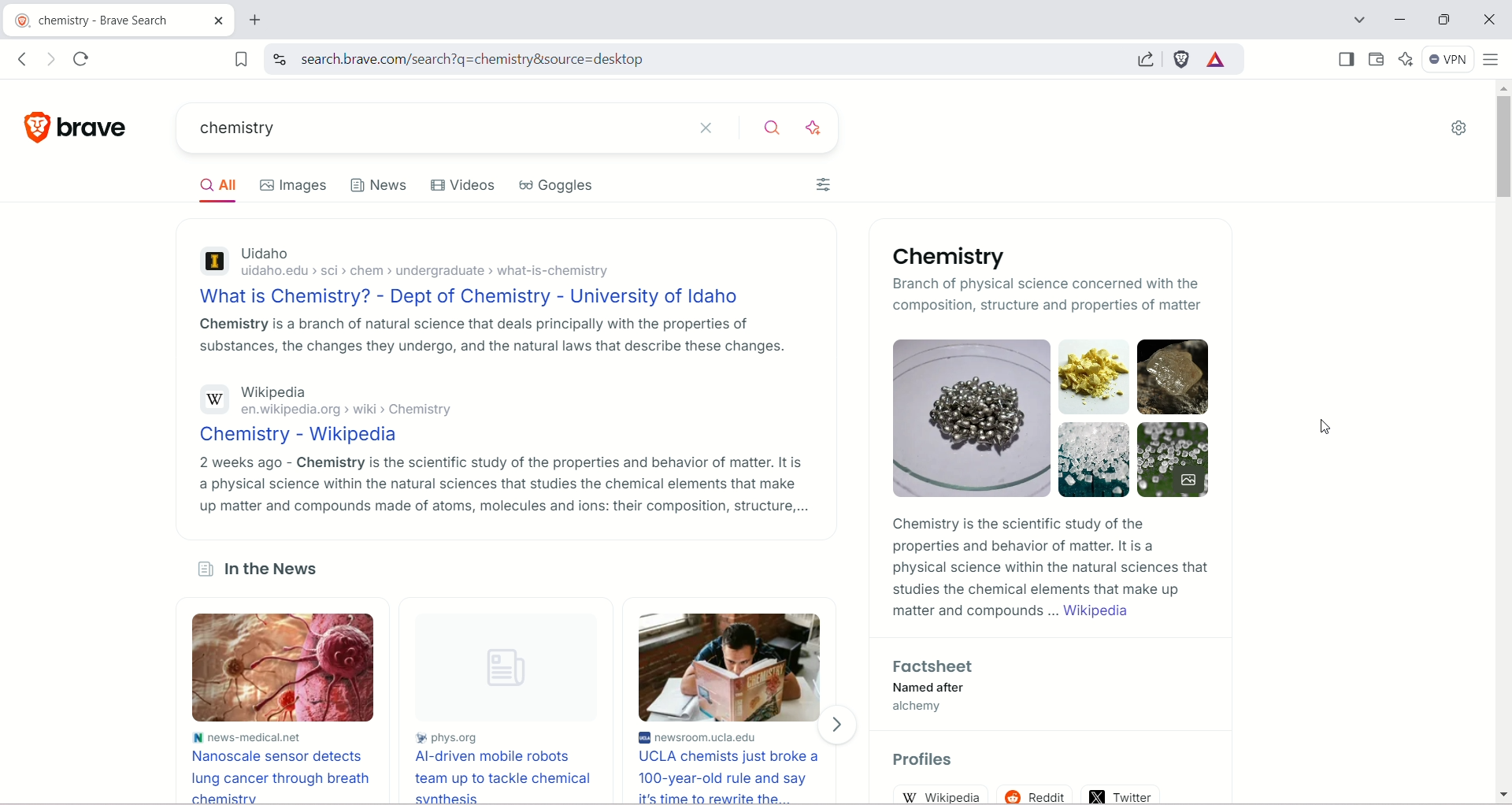 The image size is (1512, 805). Describe the element at coordinates (962, 252) in the screenshot. I see `Chemistry` at that location.